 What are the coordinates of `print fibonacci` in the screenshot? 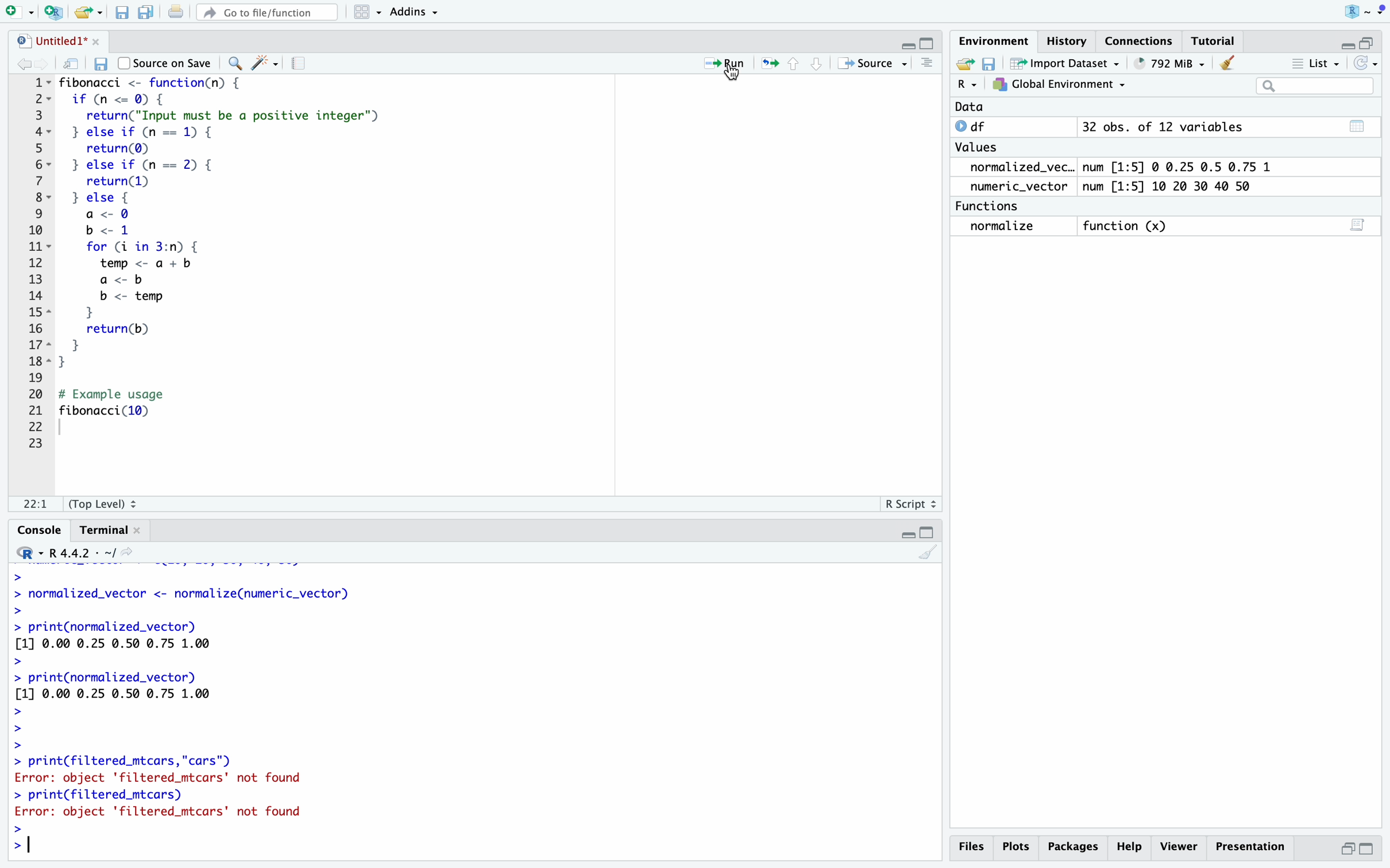 It's located at (129, 404).